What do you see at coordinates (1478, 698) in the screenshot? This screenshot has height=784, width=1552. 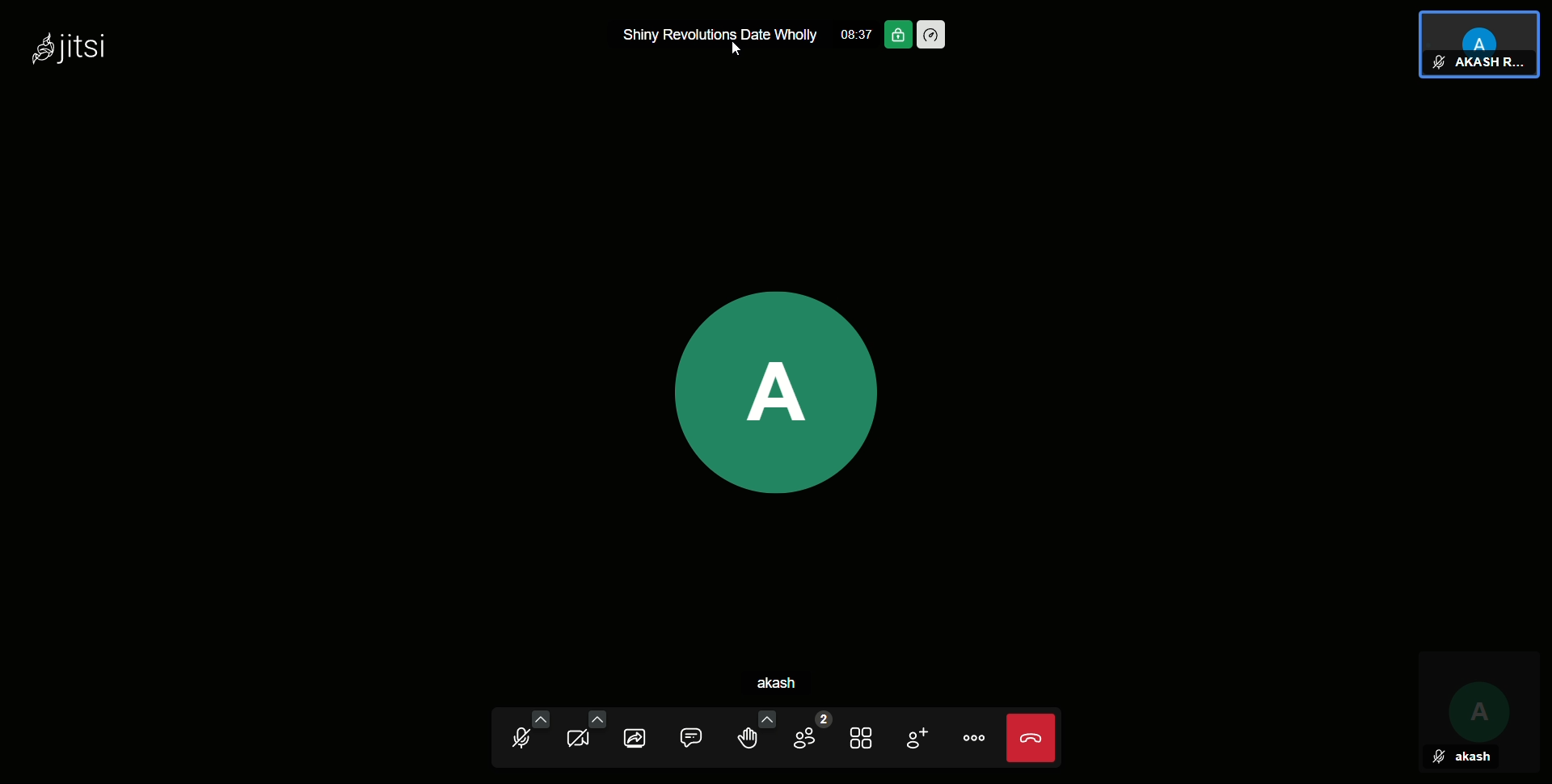 I see `iNITIAL` at bounding box center [1478, 698].